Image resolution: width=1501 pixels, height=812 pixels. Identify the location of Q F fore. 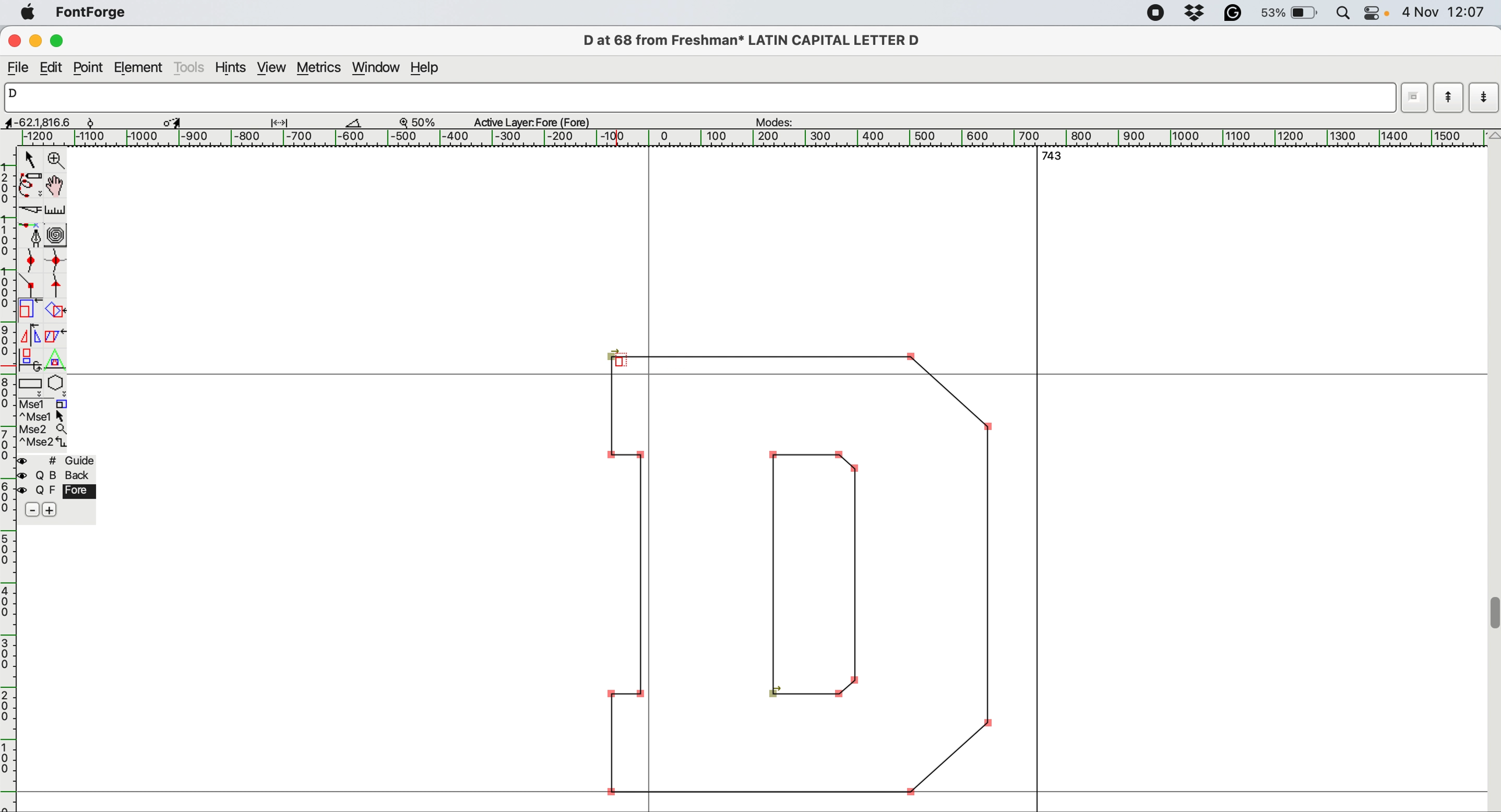
(60, 493).